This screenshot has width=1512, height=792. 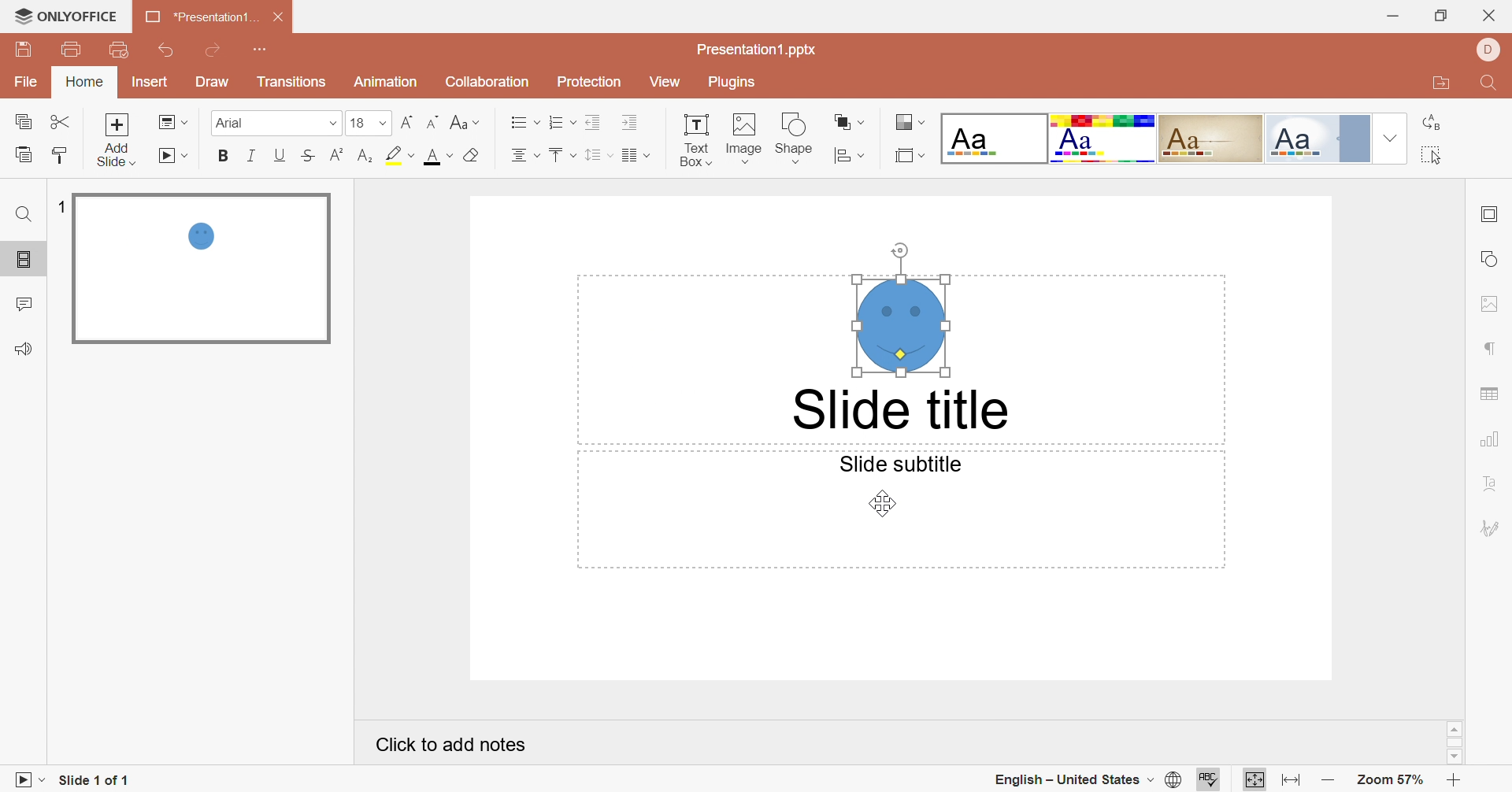 What do you see at coordinates (1390, 16) in the screenshot?
I see `Minimize` at bounding box center [1390, 16].